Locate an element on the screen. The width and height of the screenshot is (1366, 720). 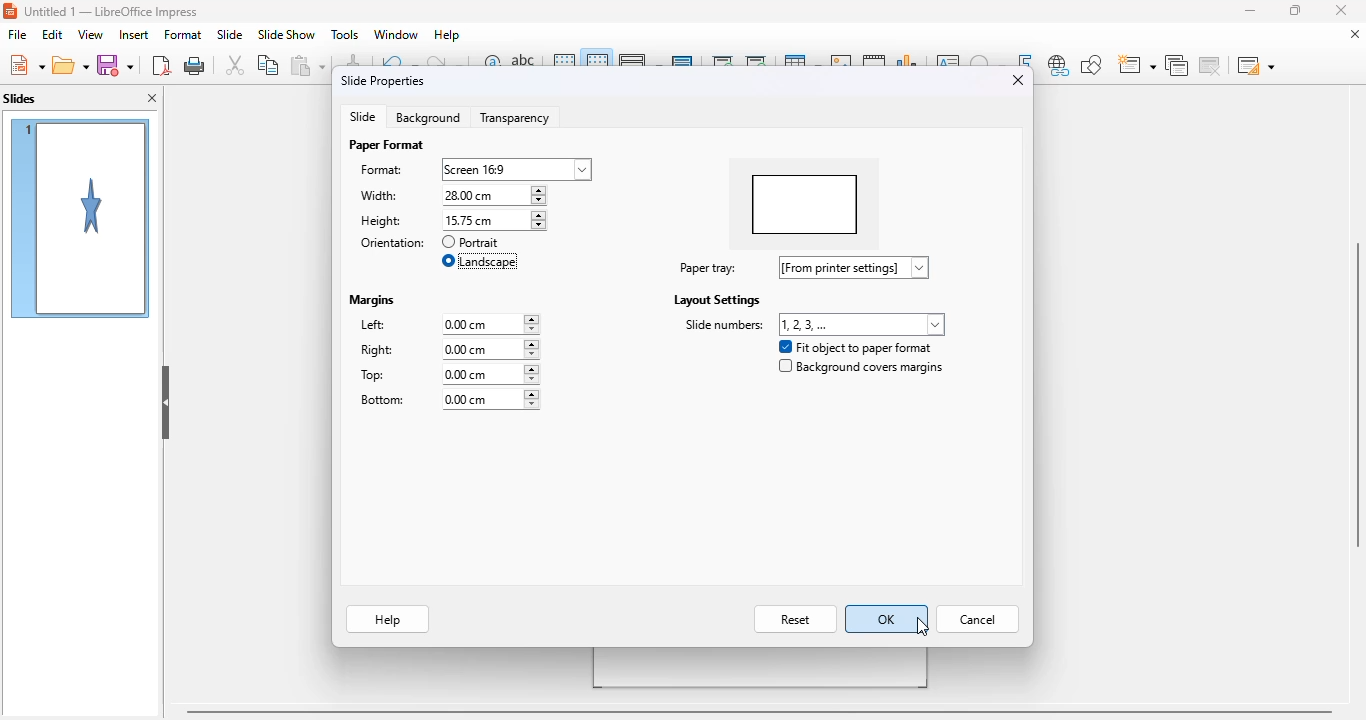
top is located at coordinates (380, 376).